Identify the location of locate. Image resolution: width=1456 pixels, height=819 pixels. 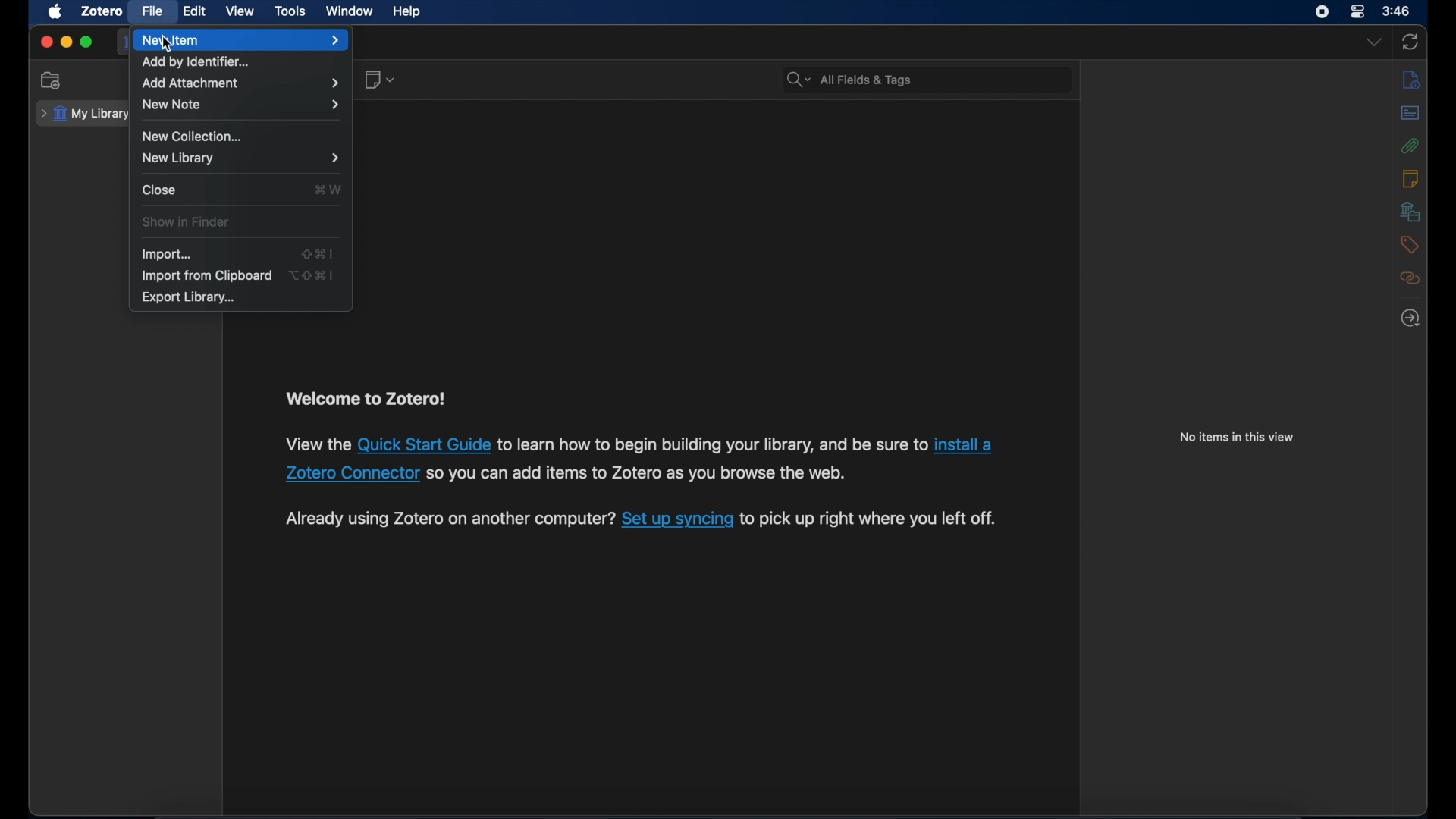
(1410, 319).